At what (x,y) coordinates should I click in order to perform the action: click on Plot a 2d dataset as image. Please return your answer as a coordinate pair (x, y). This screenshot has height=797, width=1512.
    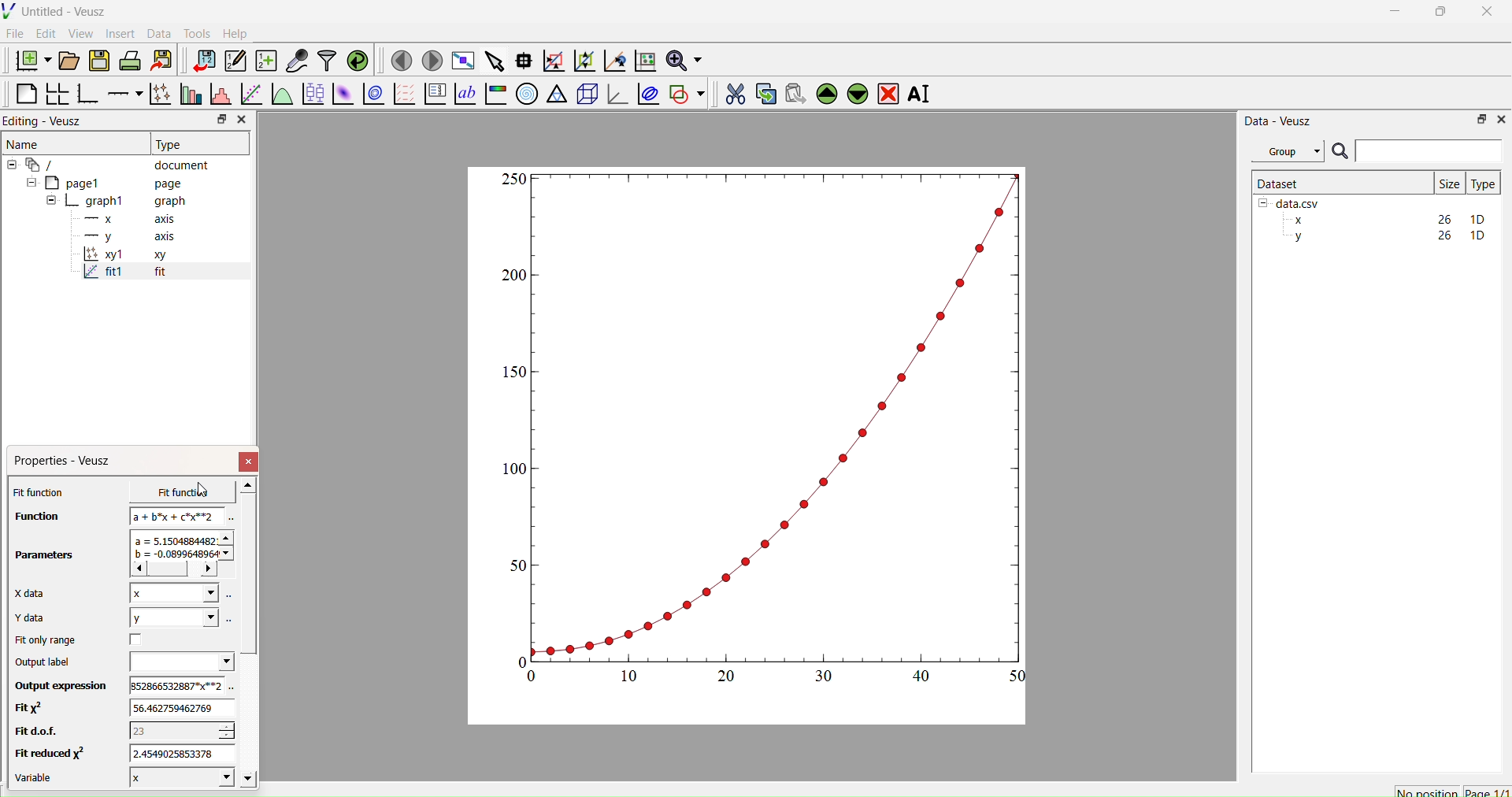
    Looking at the image, I should click on (342, 94).